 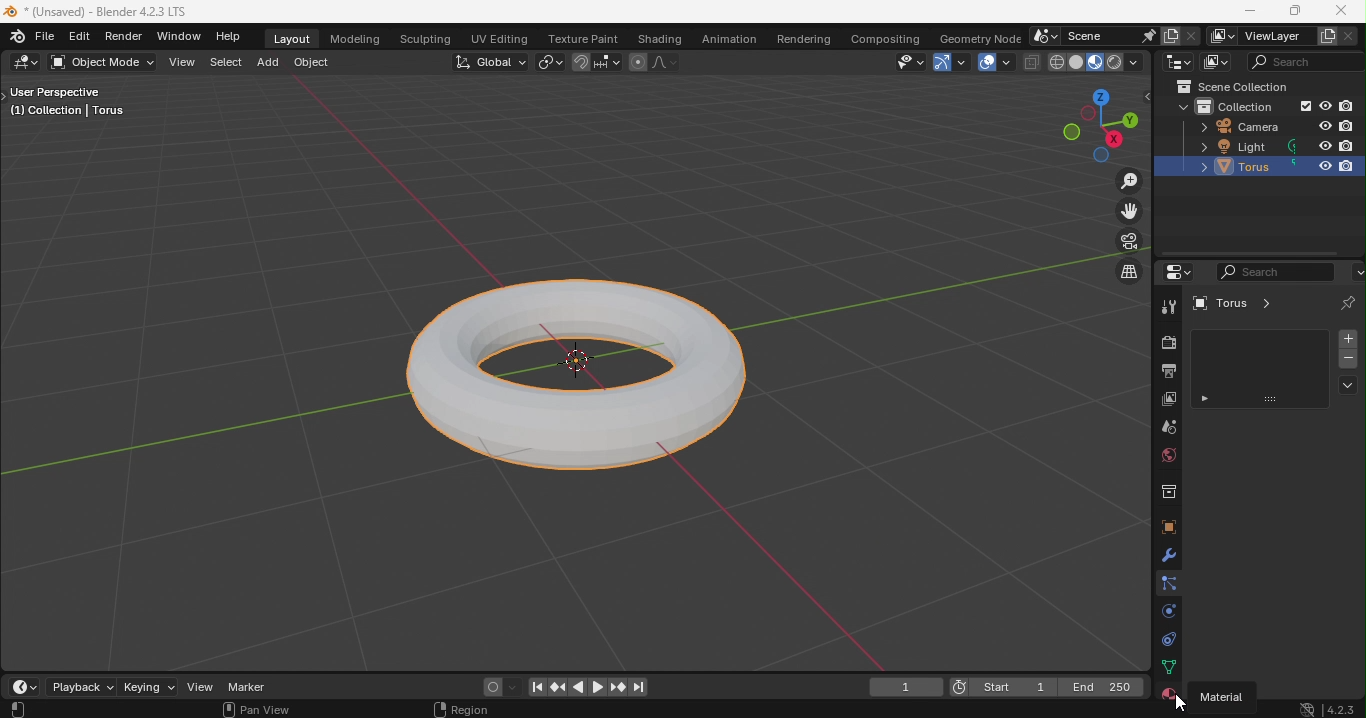 I want to click on New scene, so click(x=1168, y=35).